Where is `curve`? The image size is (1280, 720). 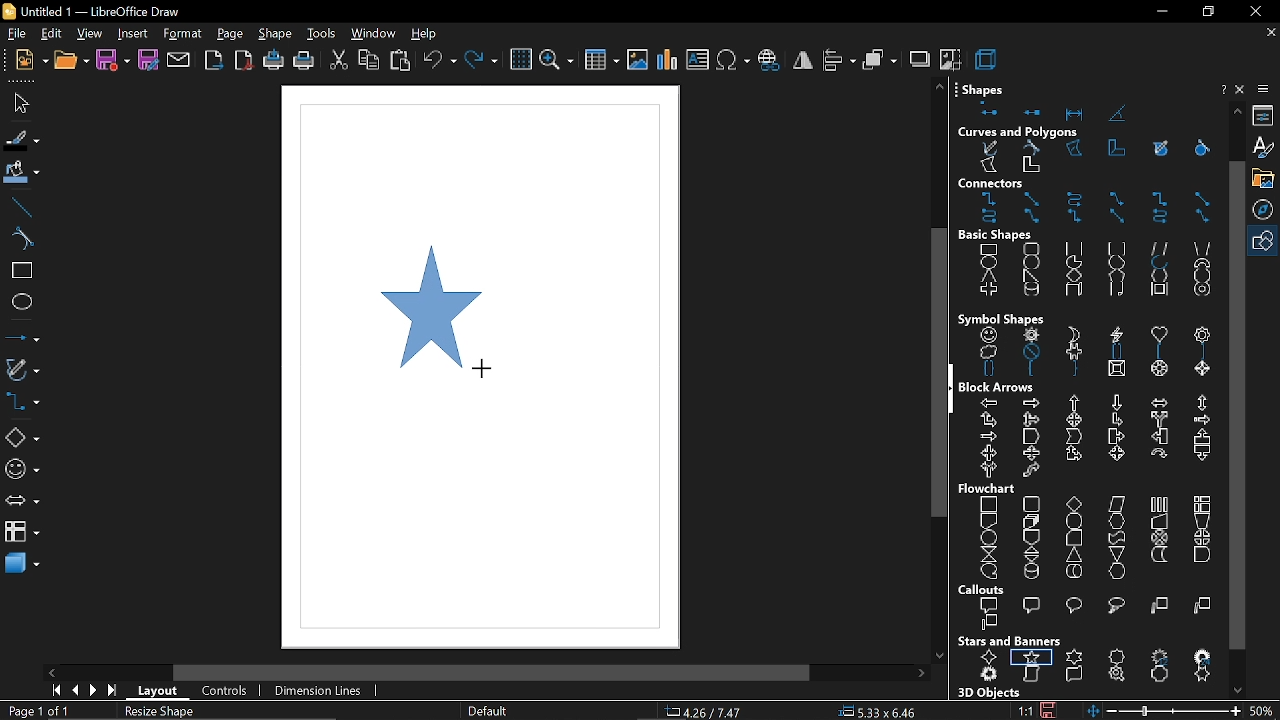
curve is located at coordinates (18, 238).